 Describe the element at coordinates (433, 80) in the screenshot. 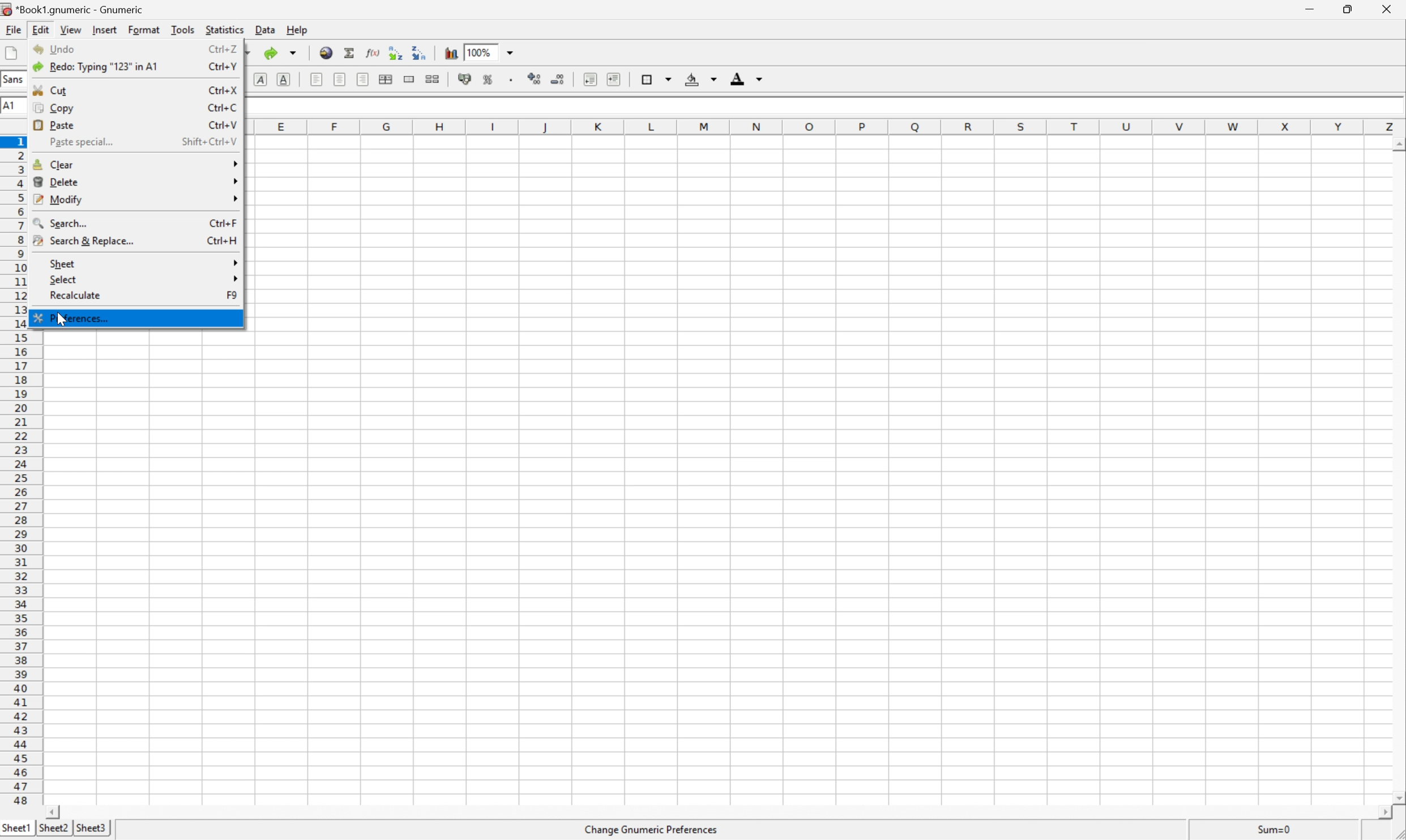

I see `split merged ranges of cells` at that location.